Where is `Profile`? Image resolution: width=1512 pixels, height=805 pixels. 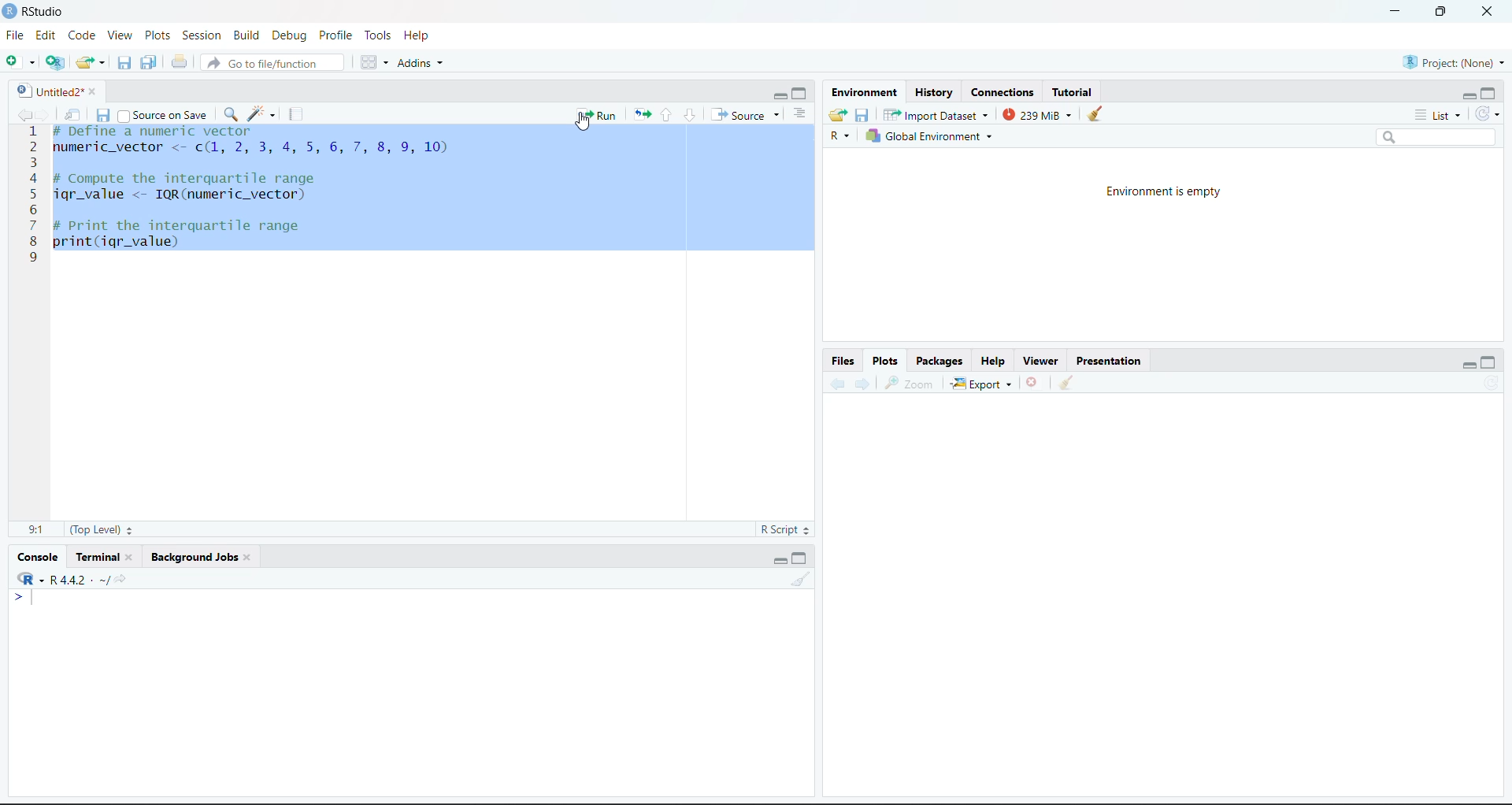 Profile is located at coordinates (333, 35).